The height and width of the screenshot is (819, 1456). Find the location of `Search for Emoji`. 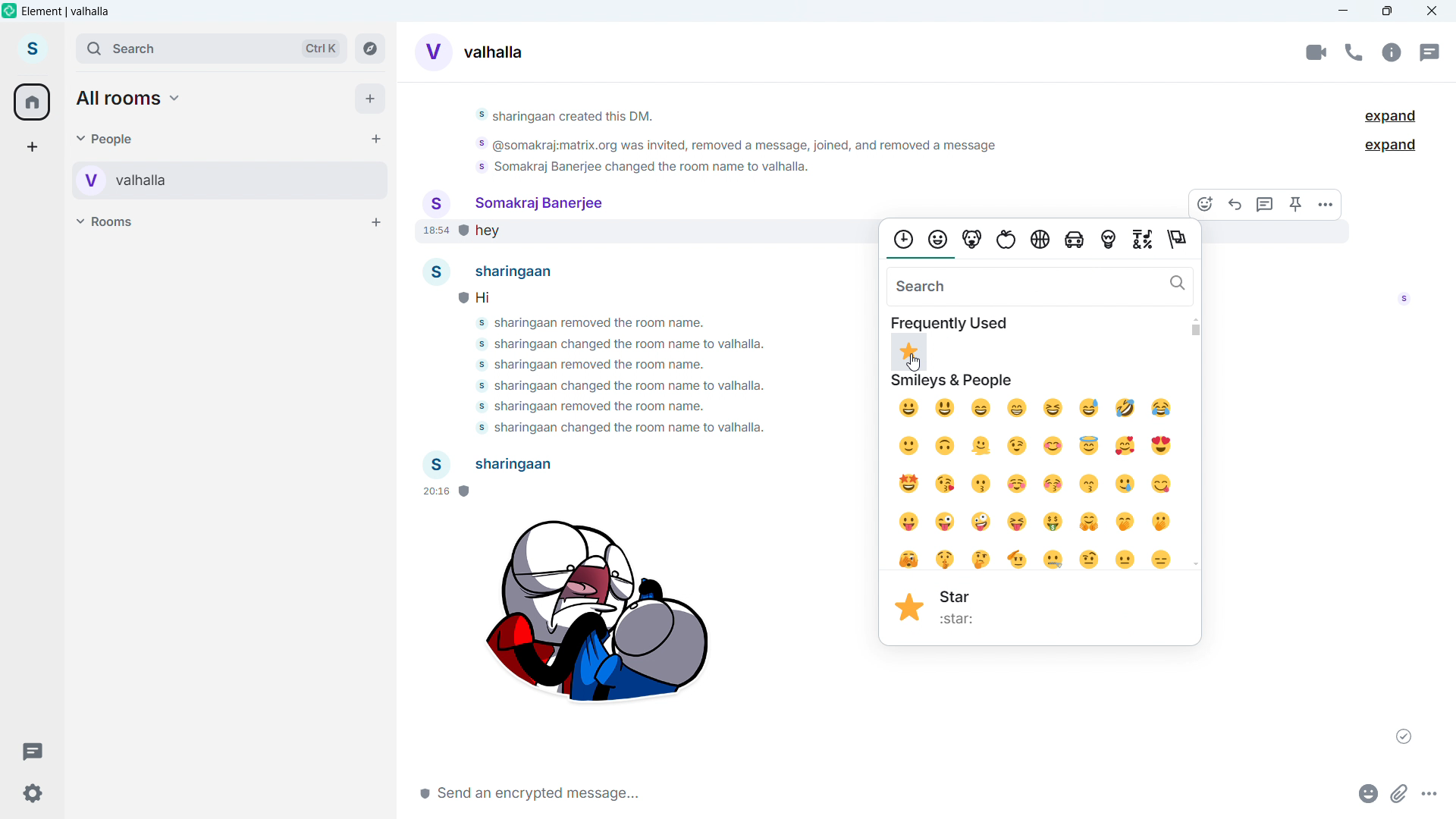

Search for Emoji is located at coordinates (1041, 286).